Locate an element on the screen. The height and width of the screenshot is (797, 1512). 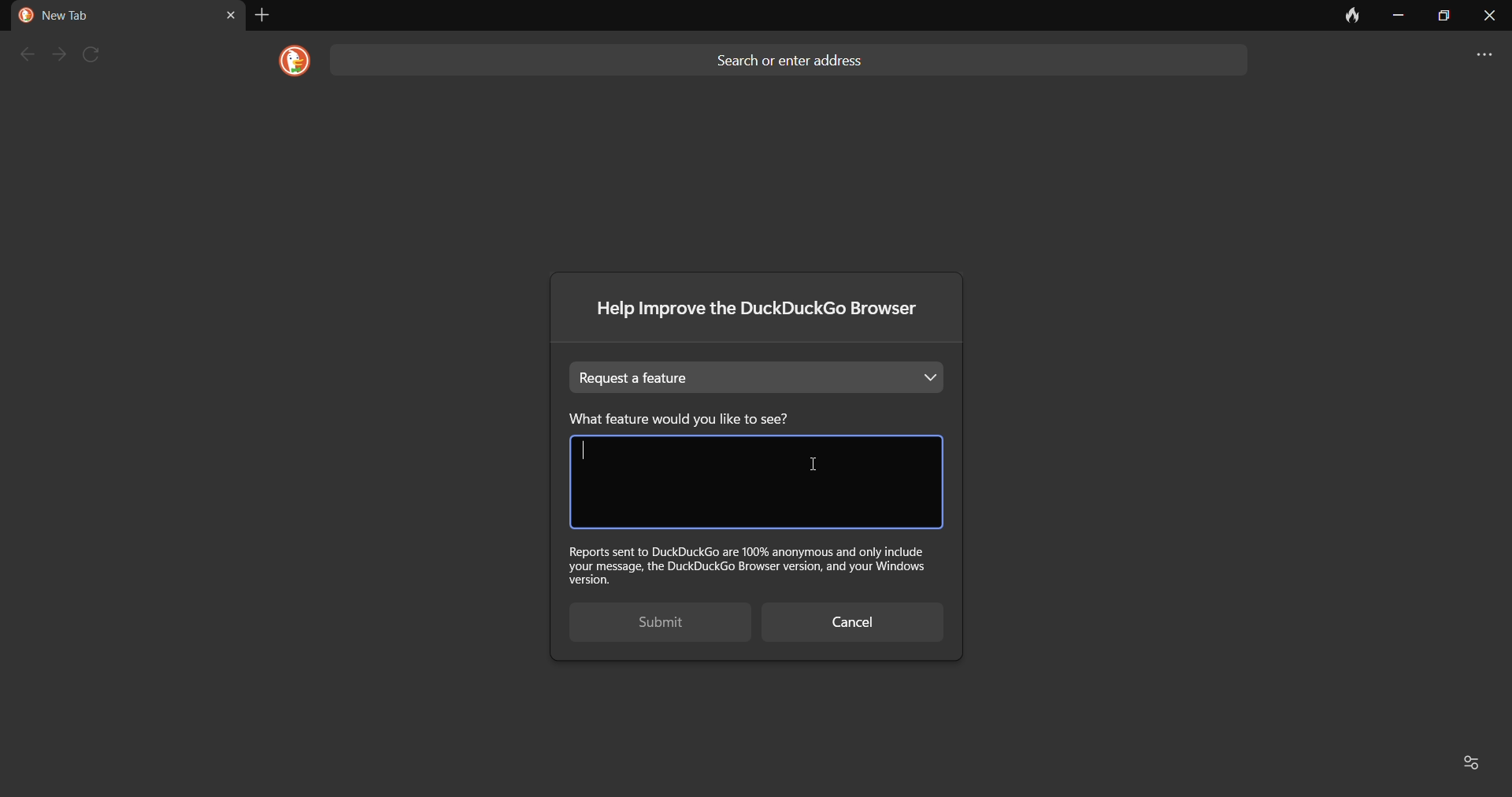
cancel is located at coordinates (851, 624).